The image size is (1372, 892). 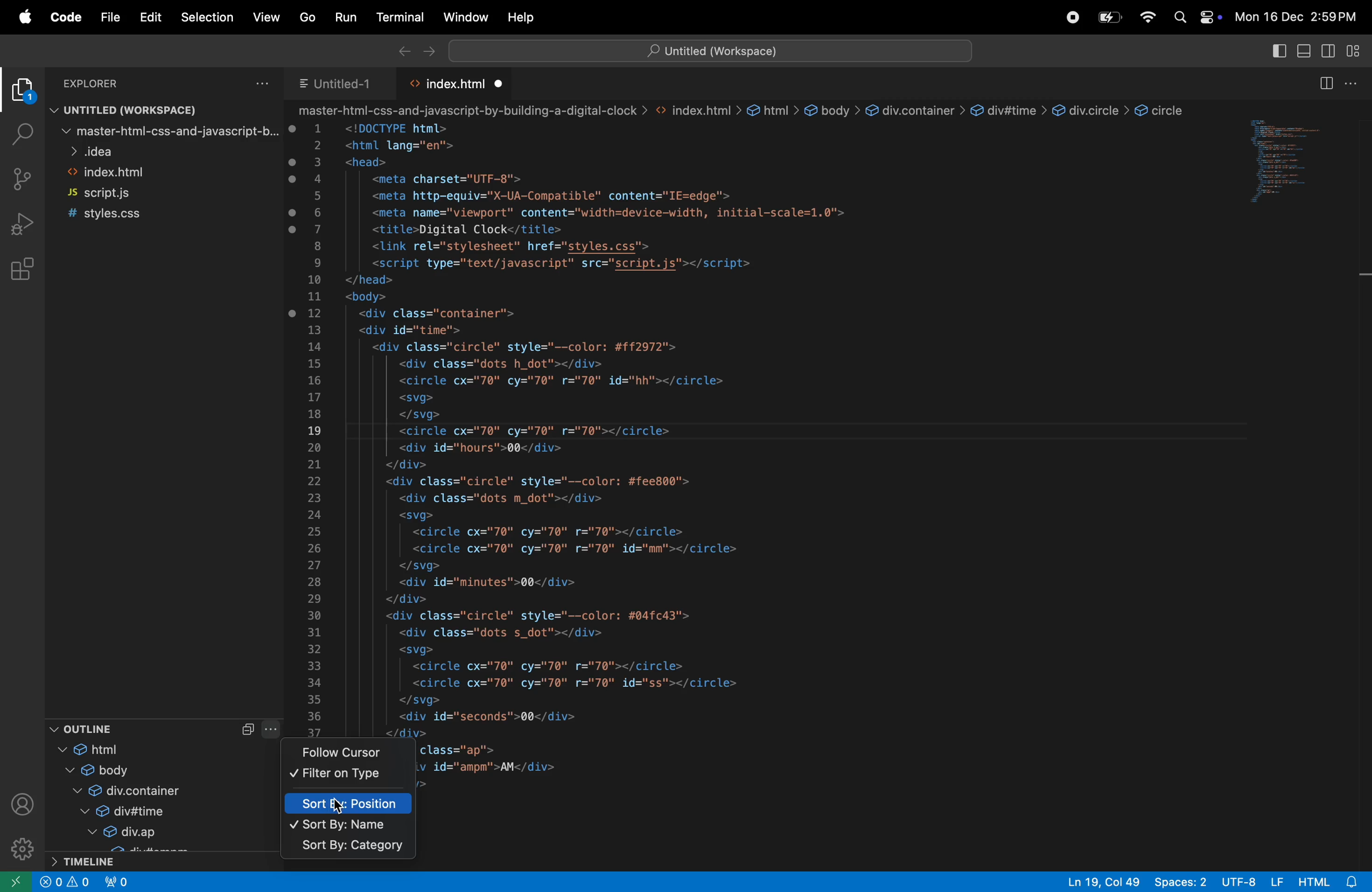 I want to click on div time, so click(x=144, y=814).